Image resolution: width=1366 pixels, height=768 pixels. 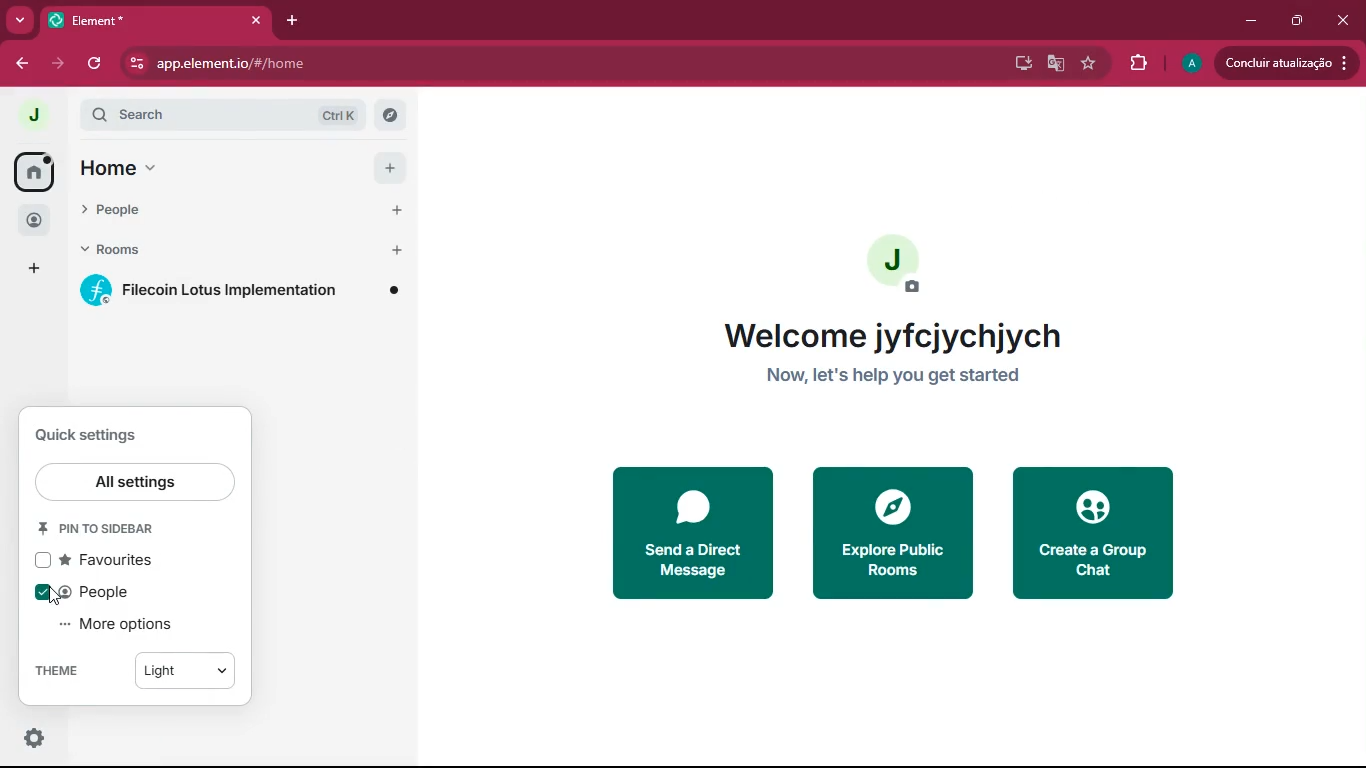 What do you see at coordinates (60, 670) in the screenshot?
I see `theme` at bounding box center [60, 670].